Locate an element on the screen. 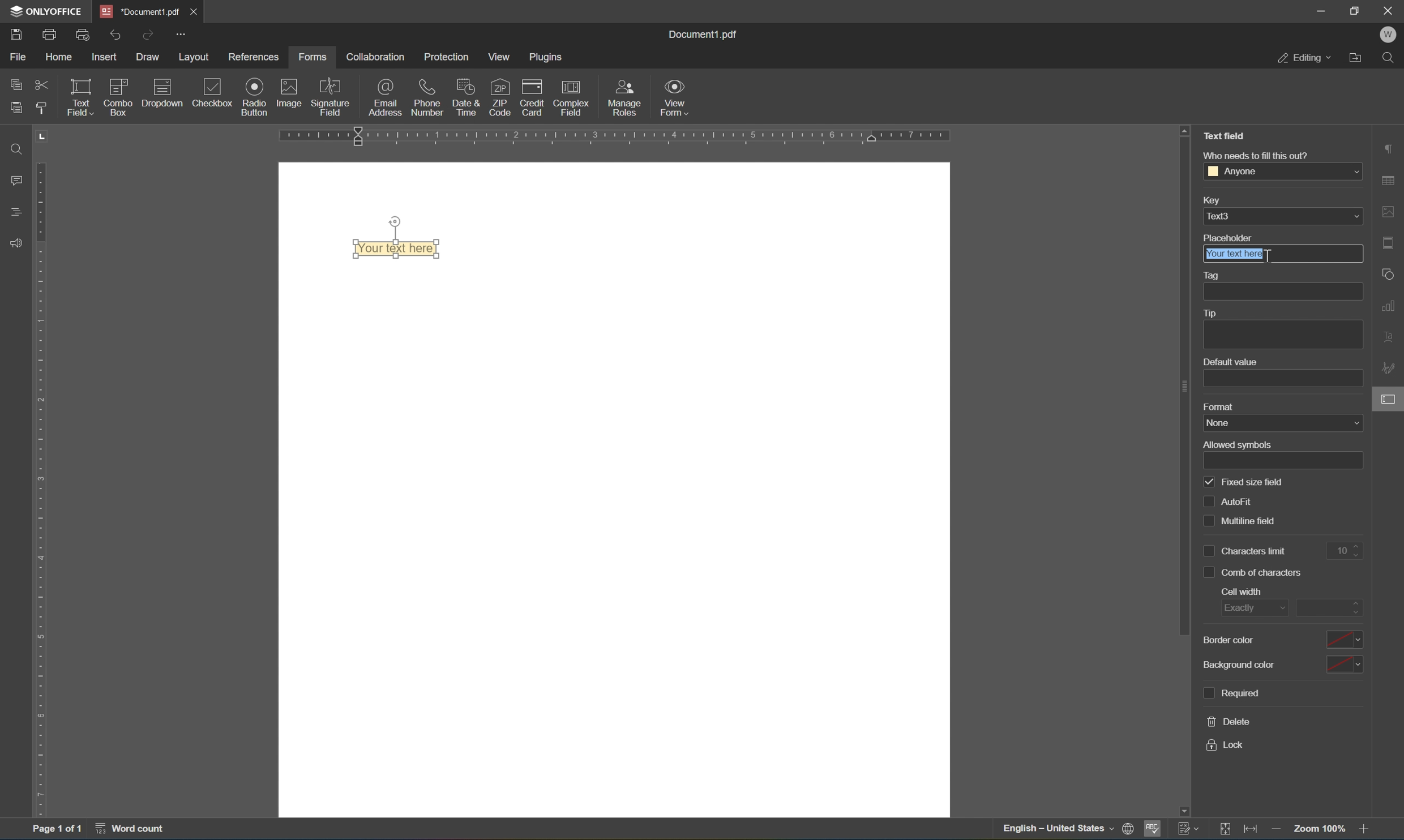  print is located at coordinates (1125, 828).